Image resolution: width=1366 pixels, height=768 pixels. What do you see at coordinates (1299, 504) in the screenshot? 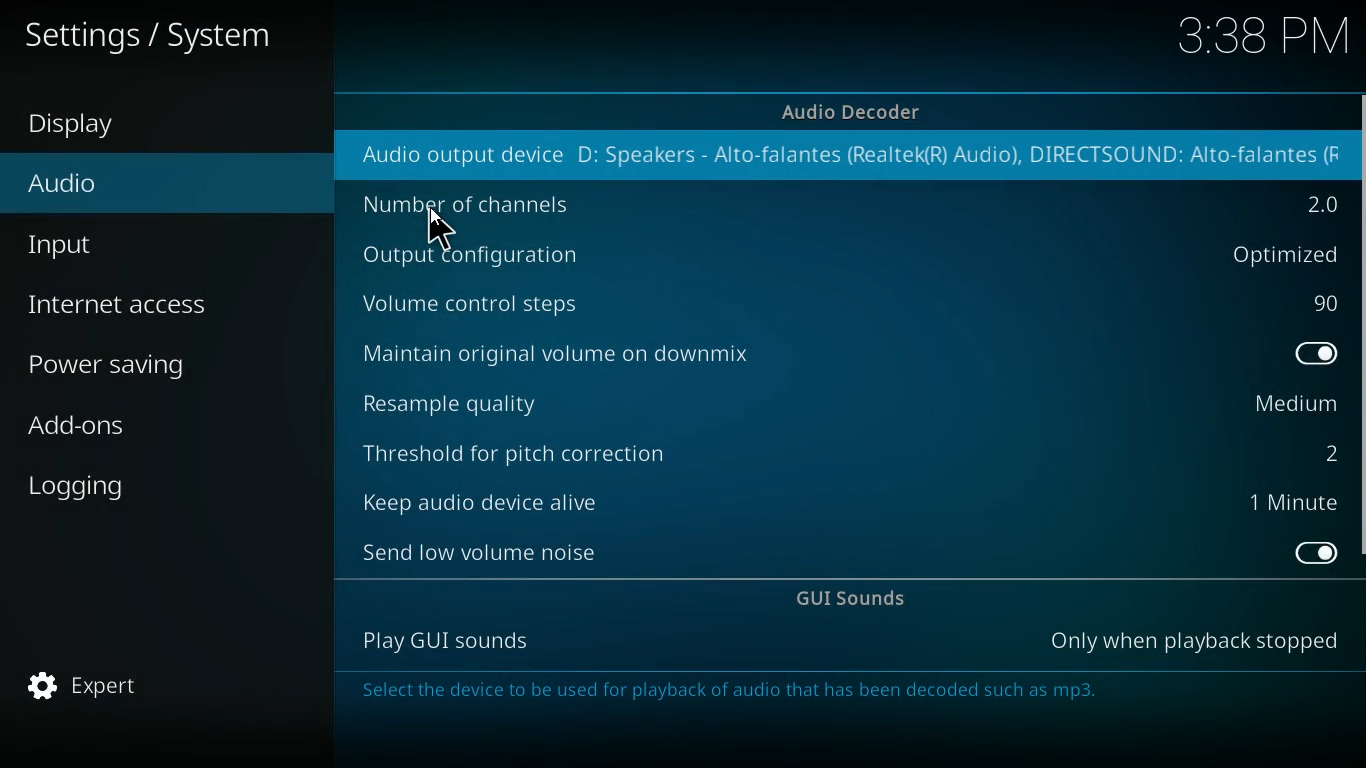
I see `option` at bounding box center [1299, 504].